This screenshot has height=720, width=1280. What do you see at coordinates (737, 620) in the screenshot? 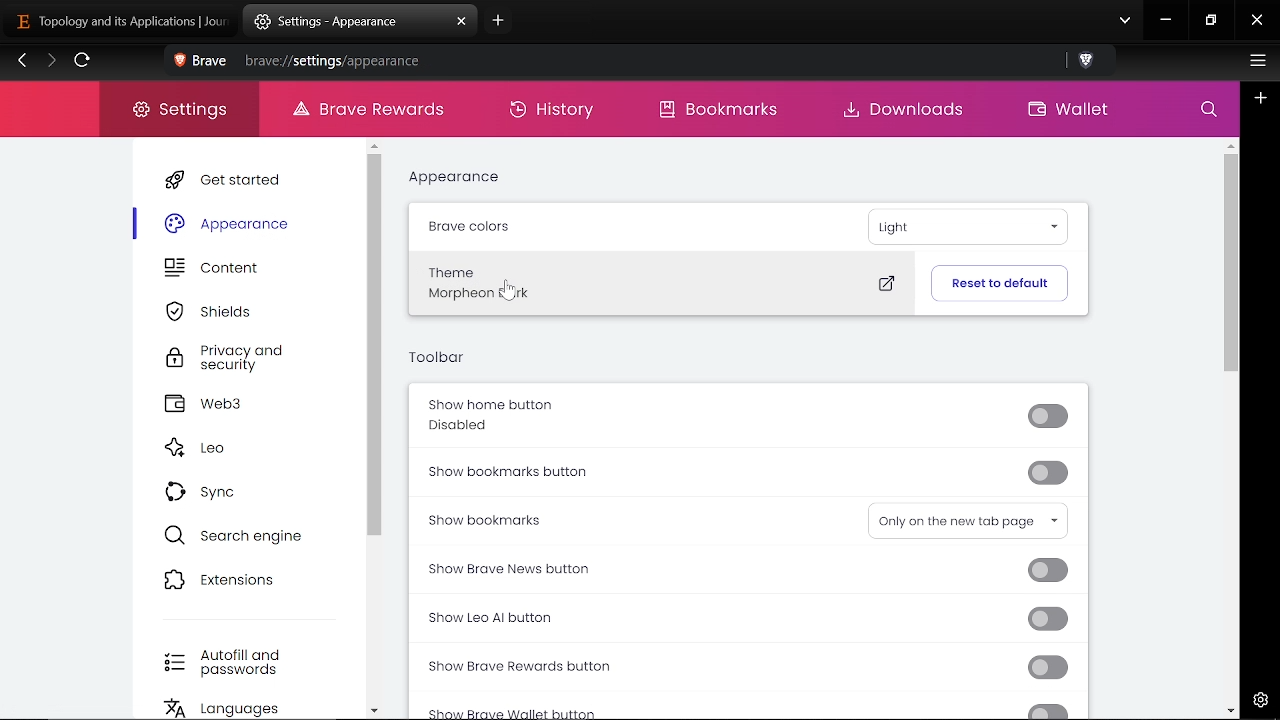
I see `Show Leo AI button` at bounding box center [737, 620].